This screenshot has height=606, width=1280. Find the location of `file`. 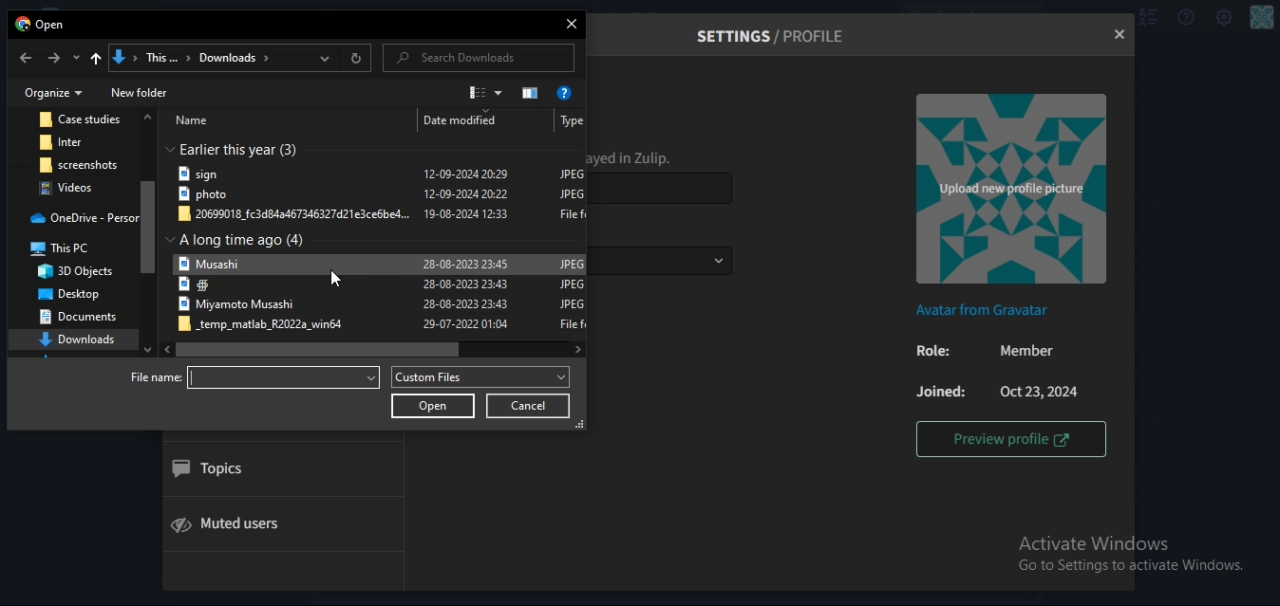

file is located at coordinates (81, 120).